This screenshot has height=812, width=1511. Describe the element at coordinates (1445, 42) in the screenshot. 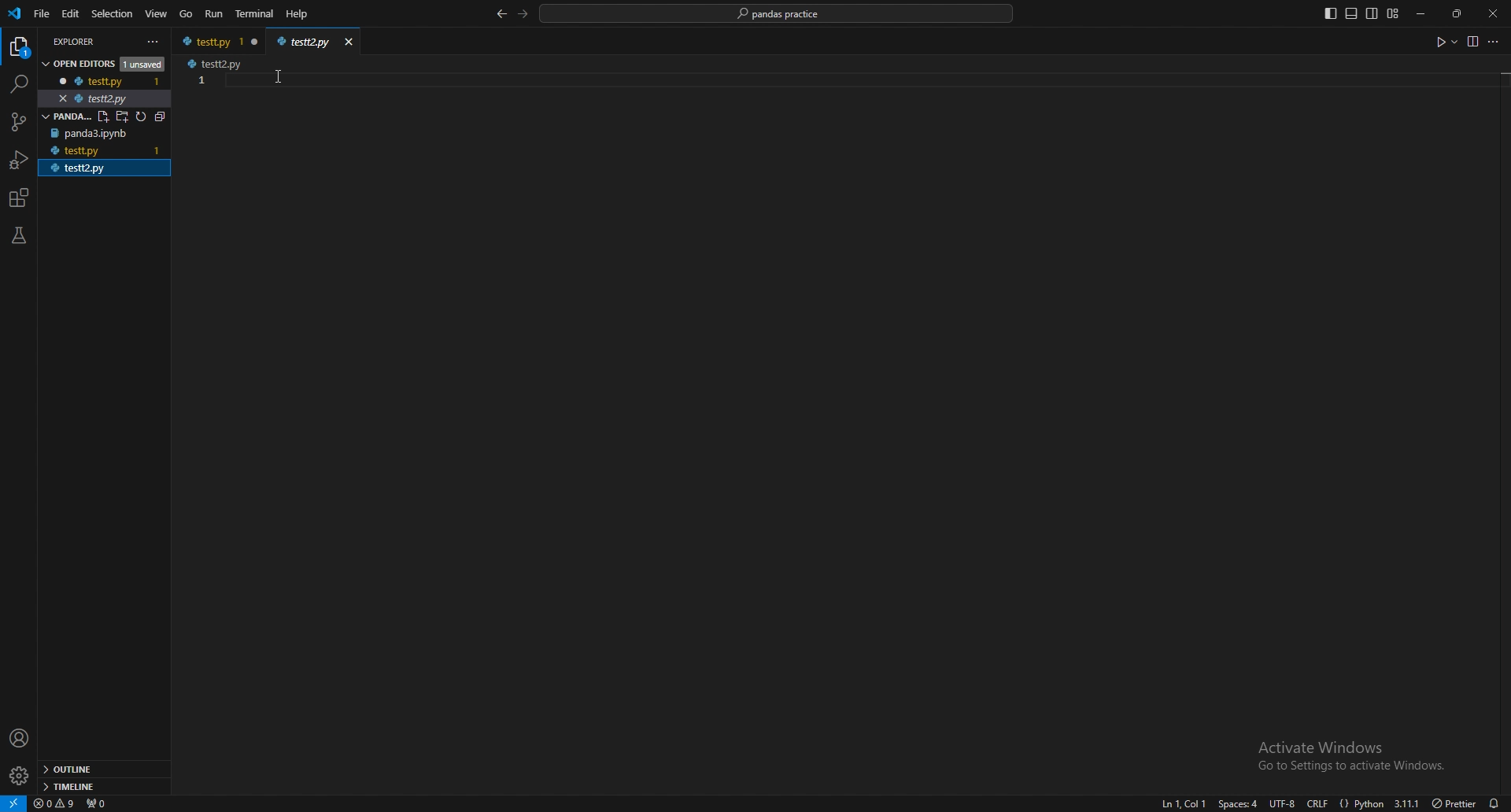

I see `run code ` at that location.